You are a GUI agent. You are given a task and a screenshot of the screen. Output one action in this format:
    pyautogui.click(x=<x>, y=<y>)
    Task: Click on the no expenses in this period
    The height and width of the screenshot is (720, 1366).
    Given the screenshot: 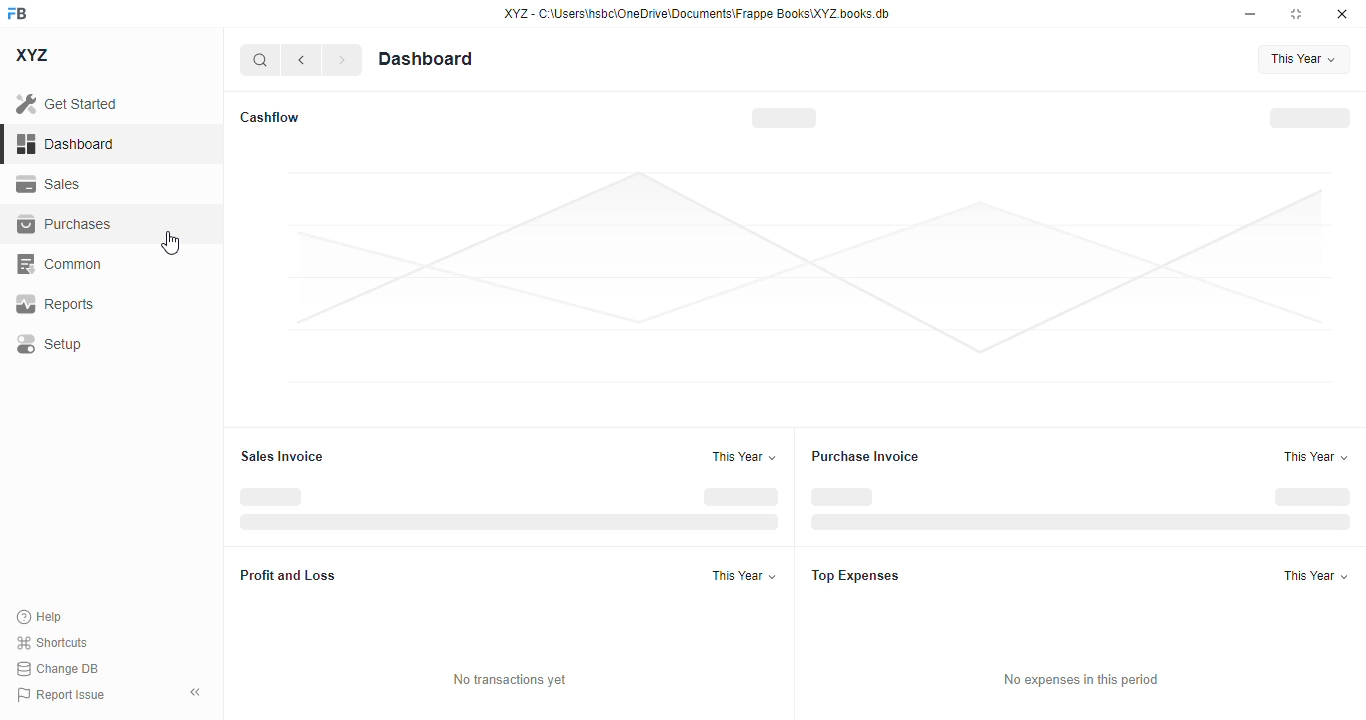 What is the action you would take?
    pyautogui.click(x=1079, y=680)
    